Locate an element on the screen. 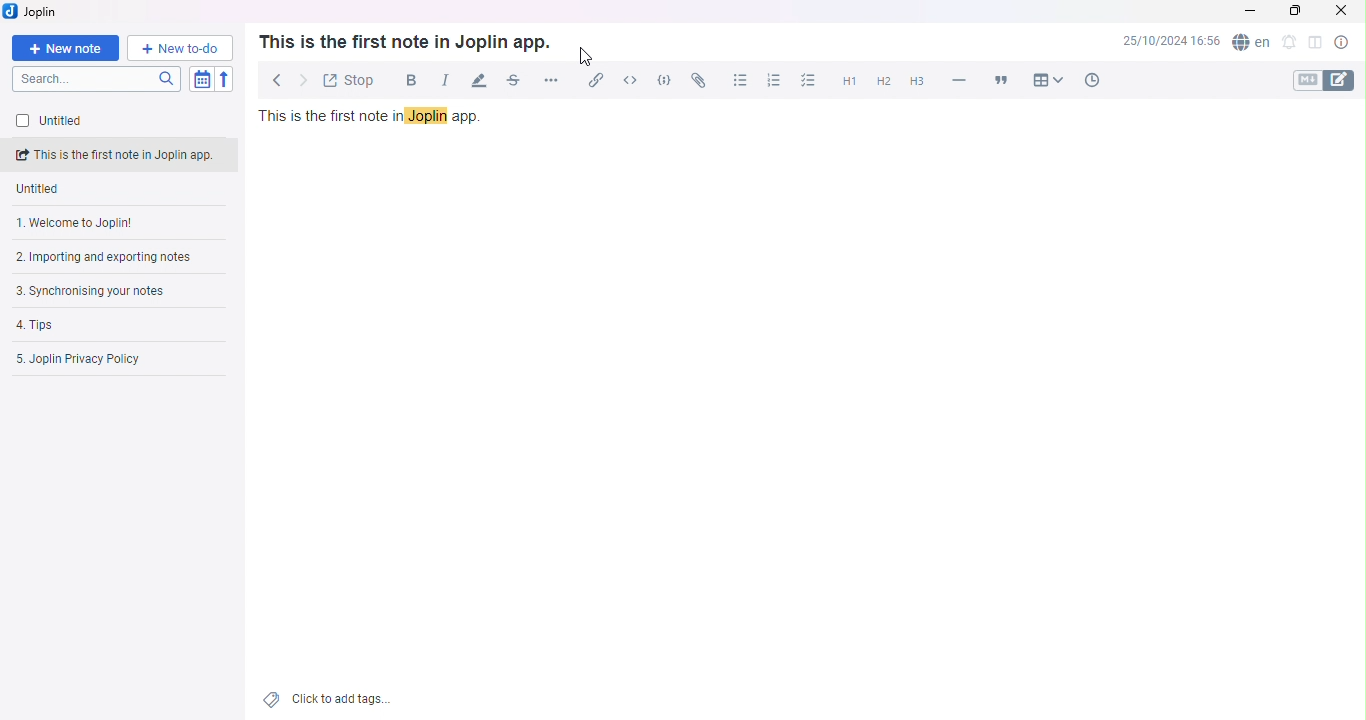  Date and Time is located at coordinates (1170, 44).